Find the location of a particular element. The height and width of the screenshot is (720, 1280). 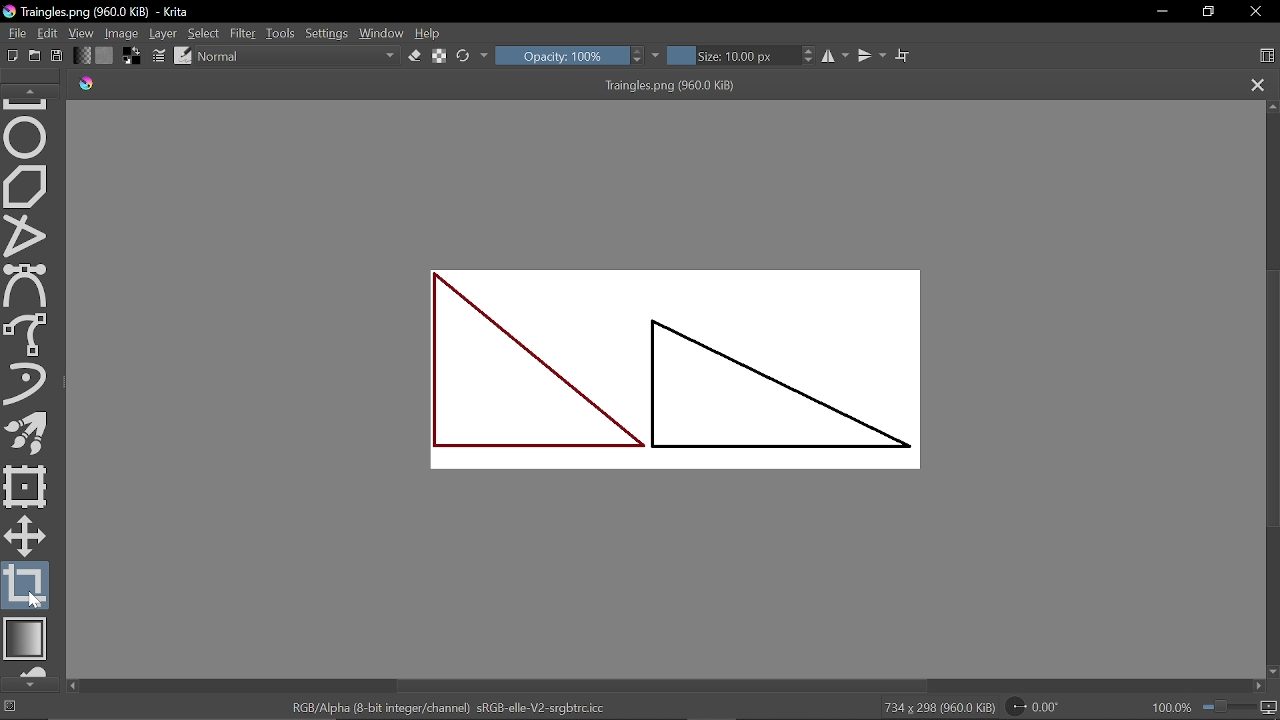

Eraser is located at coordinates (414, 56).